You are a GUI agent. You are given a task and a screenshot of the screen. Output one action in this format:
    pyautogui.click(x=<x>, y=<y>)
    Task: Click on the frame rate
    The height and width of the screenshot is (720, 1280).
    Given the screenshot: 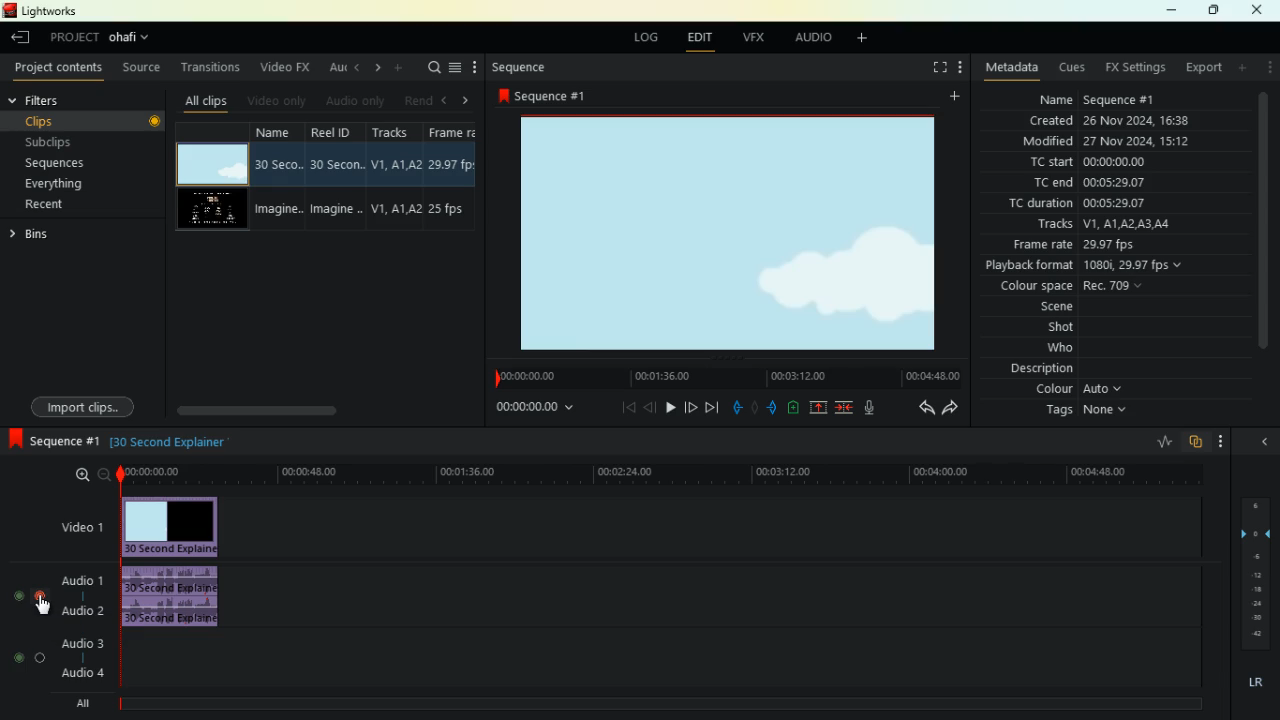 What is the action you would take?
    pyautogui.click(x=1106, y=246)
    